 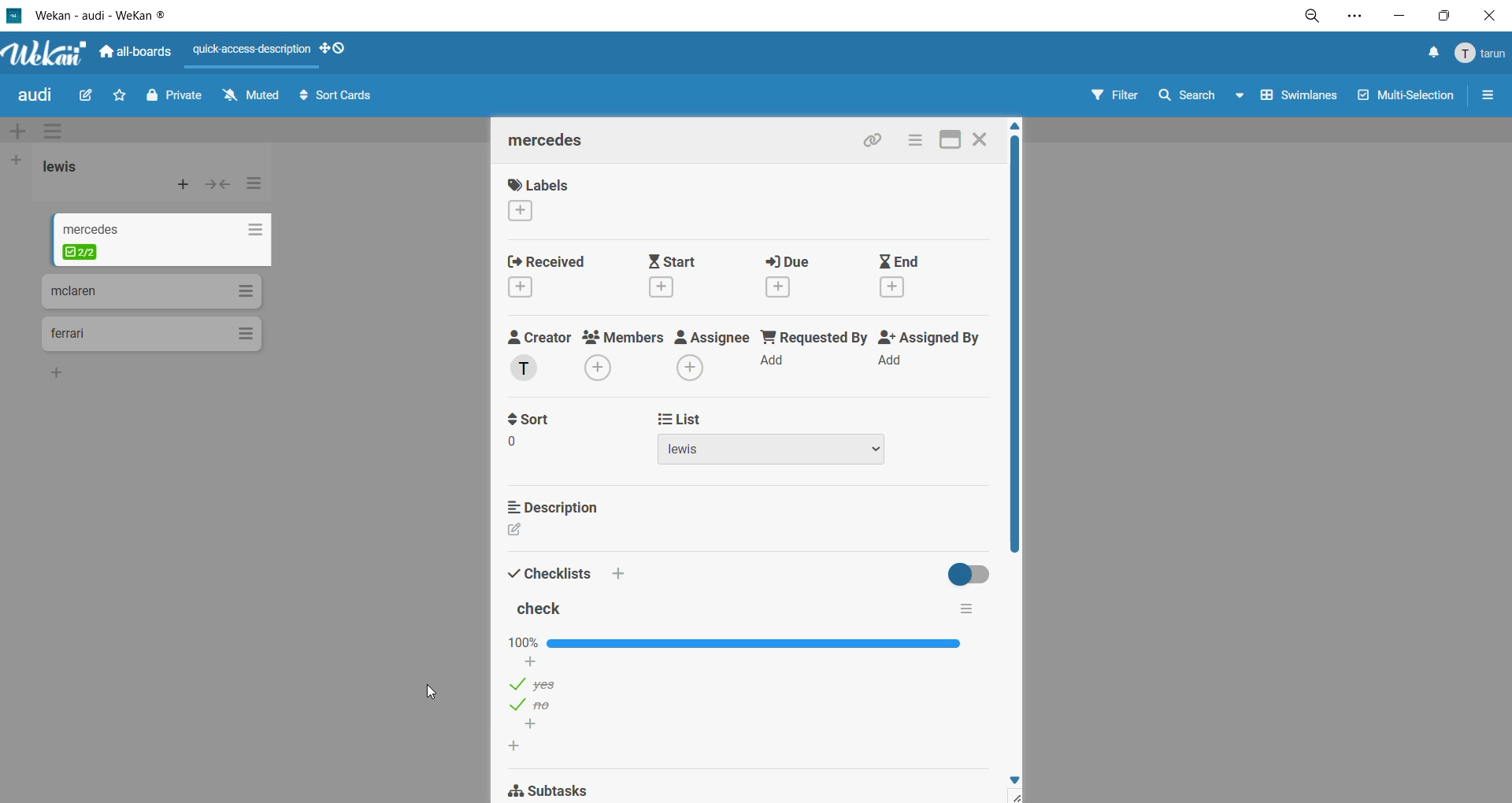 I want to click on description, so click(x=555, y=509).